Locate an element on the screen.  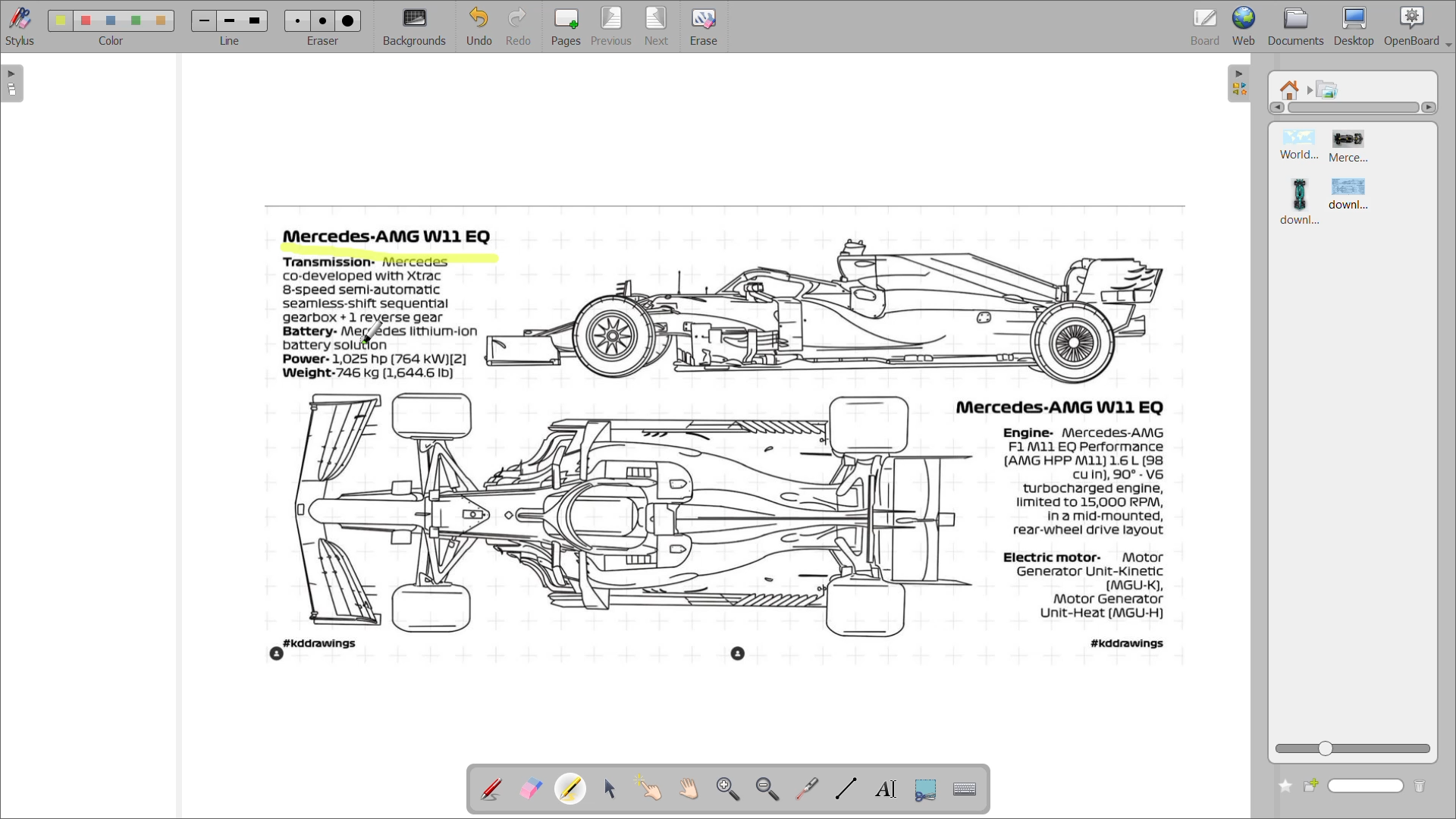
color 3 is located at coordinates (113, 20).